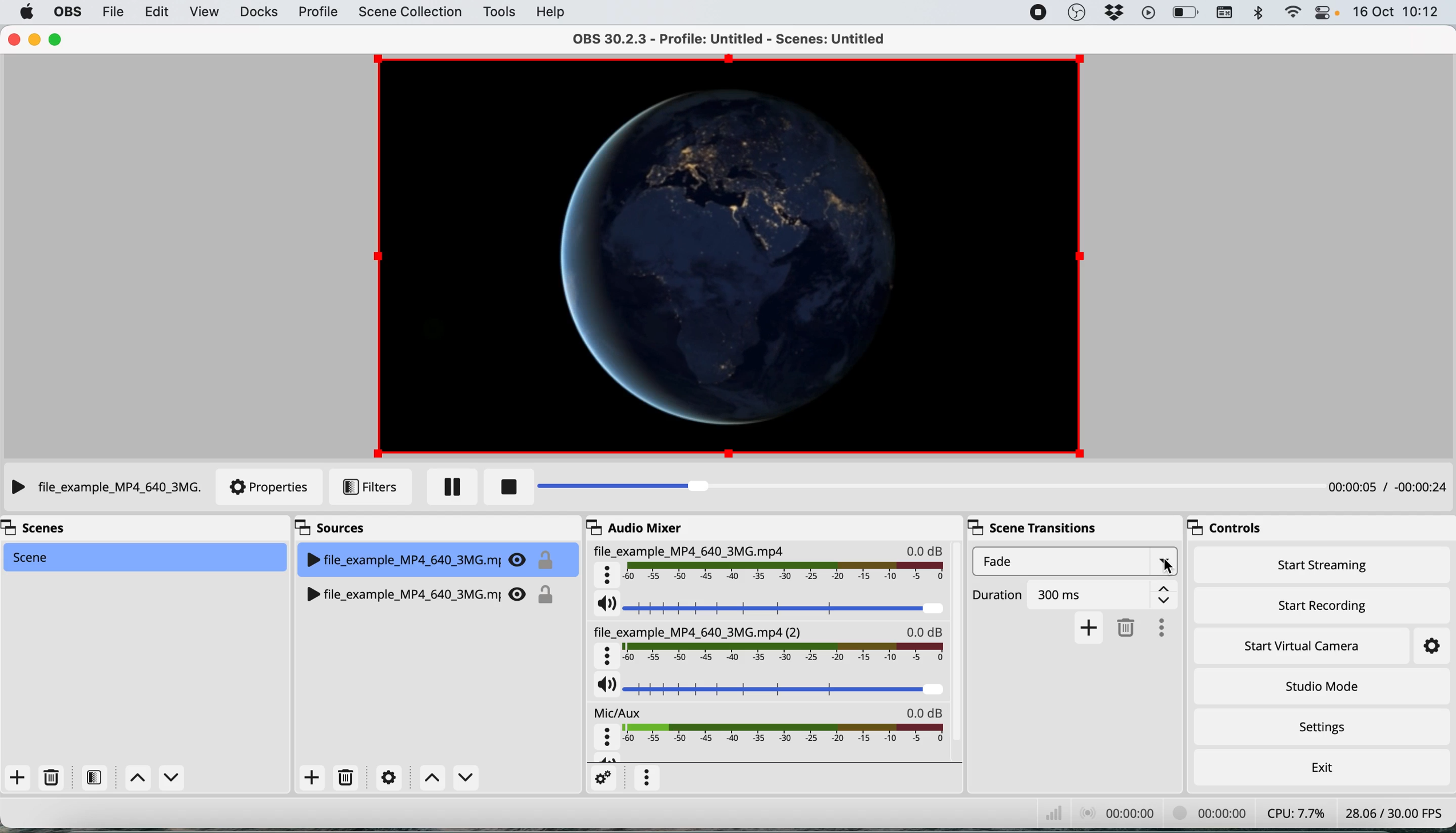  What do you see at coordinates (772, 729) in the screenshot?
I see `mic aux audio` at bounding box center [772, 729].